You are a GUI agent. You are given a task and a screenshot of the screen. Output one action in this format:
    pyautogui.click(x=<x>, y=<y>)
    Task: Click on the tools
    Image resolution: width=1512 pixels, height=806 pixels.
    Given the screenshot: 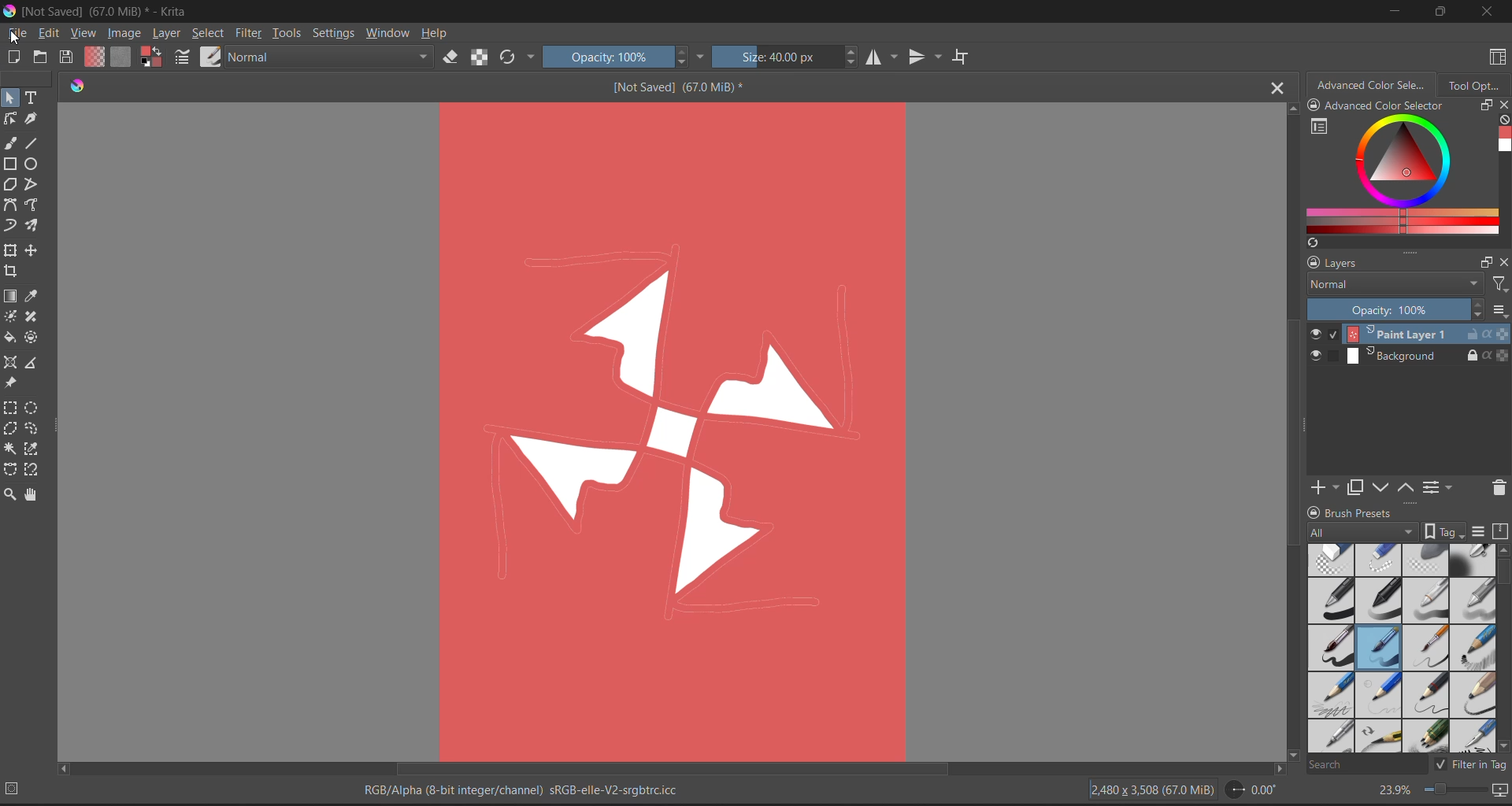 What is the action you would take?
    pyautogui.click(x=31, y=494)
    